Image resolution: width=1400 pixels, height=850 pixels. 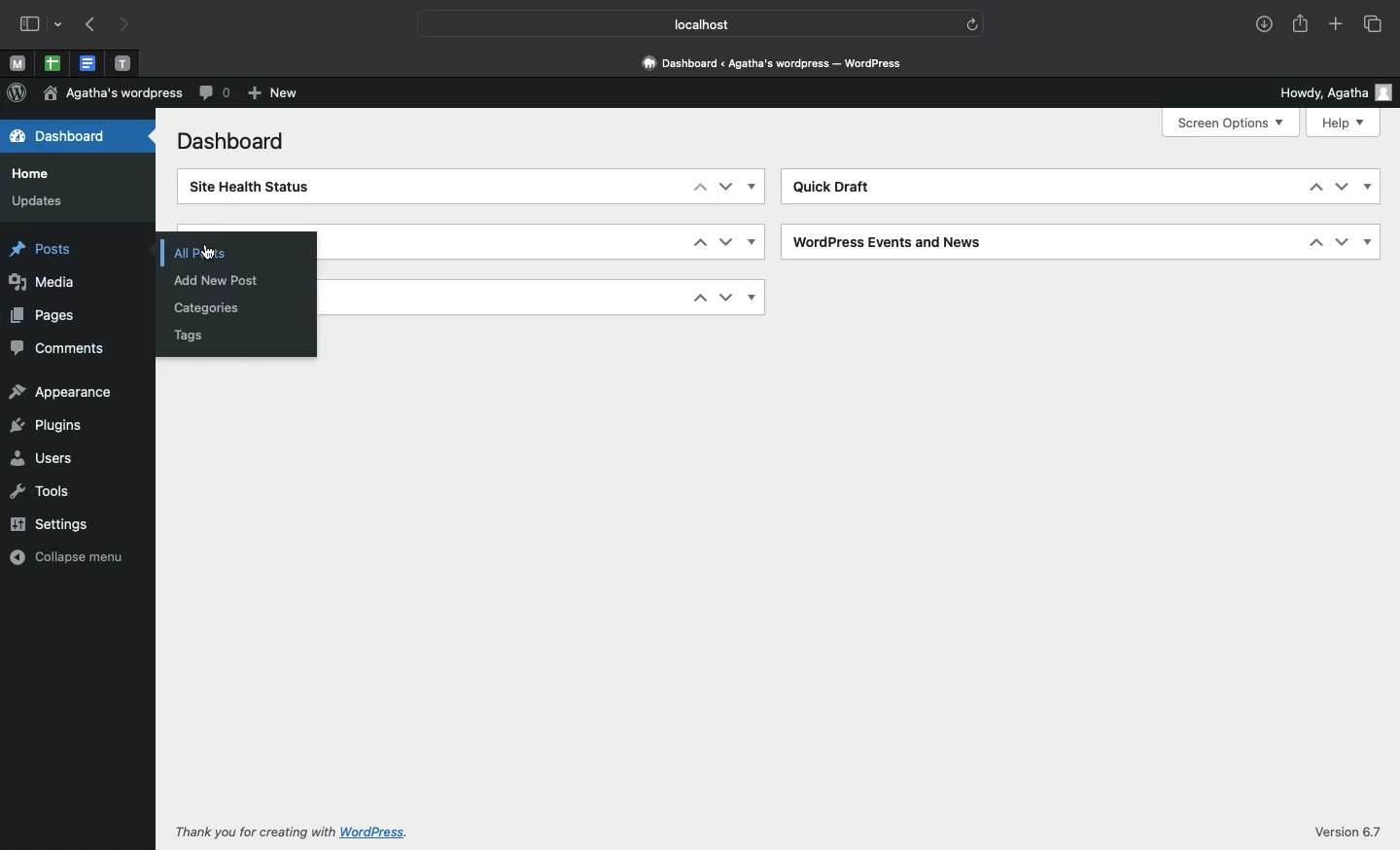 I want to click on excel sheet, so click(x=51, y=62).